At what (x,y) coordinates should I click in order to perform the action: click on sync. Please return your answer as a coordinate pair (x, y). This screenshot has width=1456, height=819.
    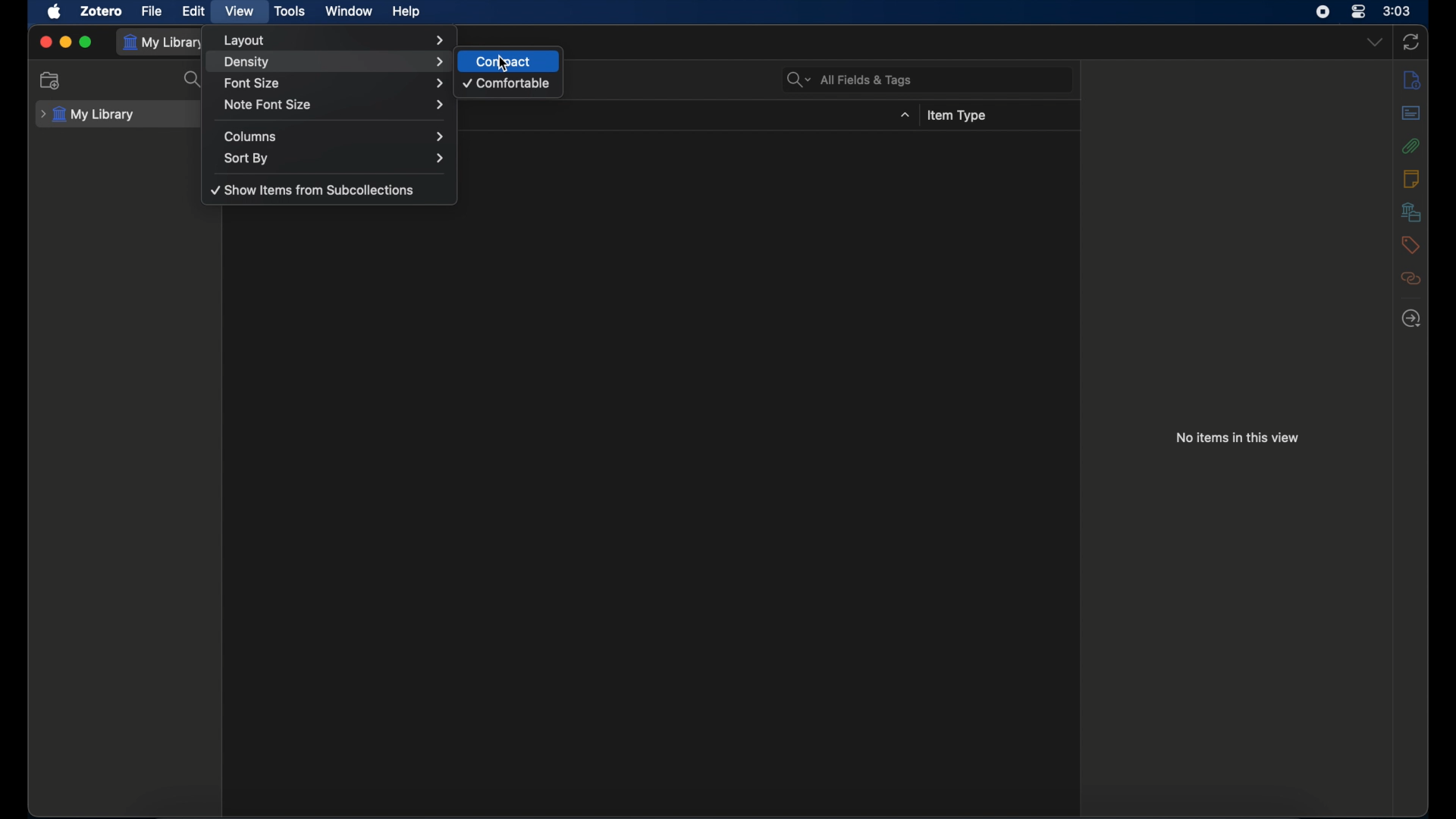
    Looking at the image, I should click on (1411, 42).